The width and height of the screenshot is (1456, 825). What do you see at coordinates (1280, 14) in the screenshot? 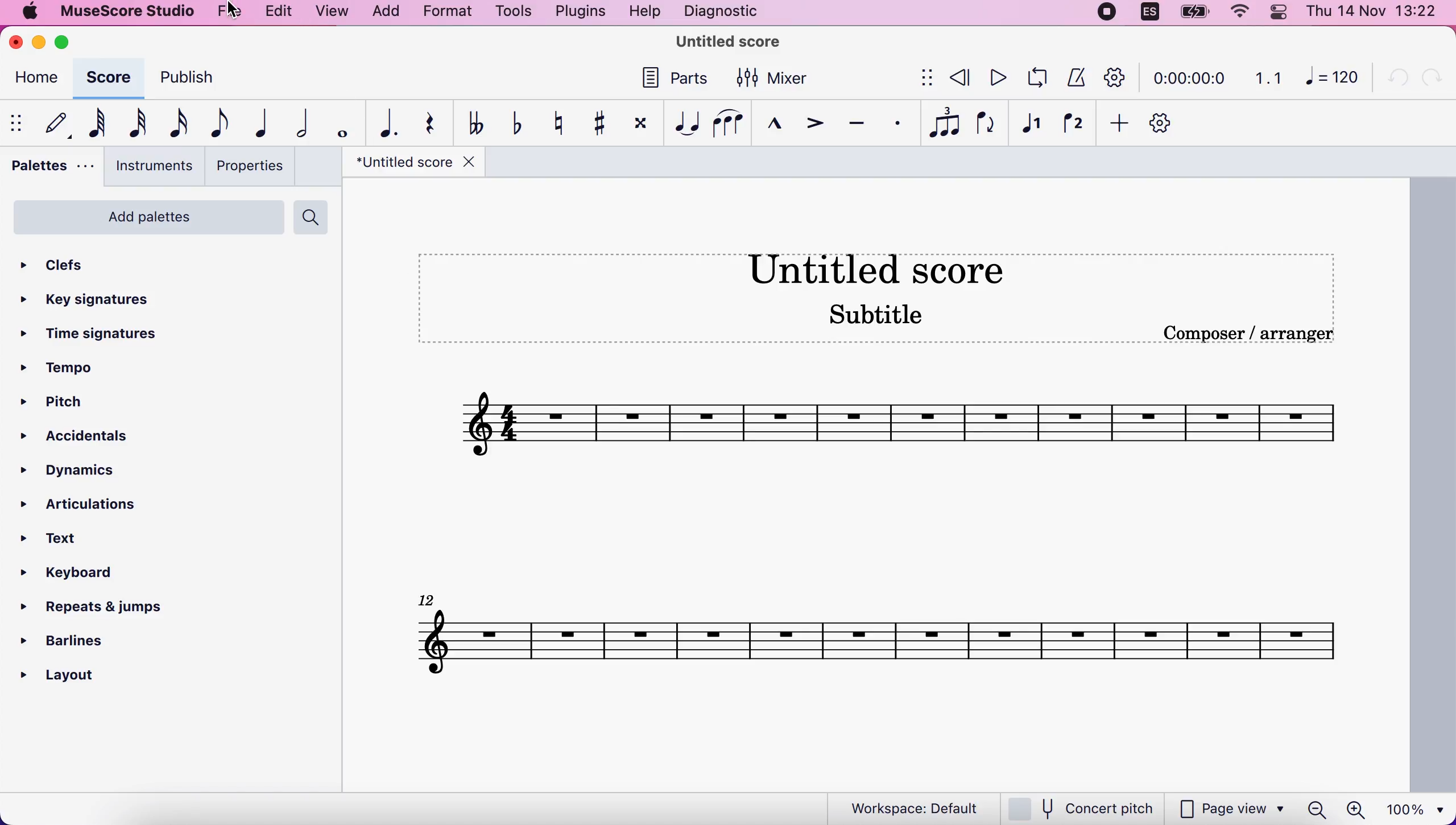
I see `panel control` at bounding box center [1280, 14].